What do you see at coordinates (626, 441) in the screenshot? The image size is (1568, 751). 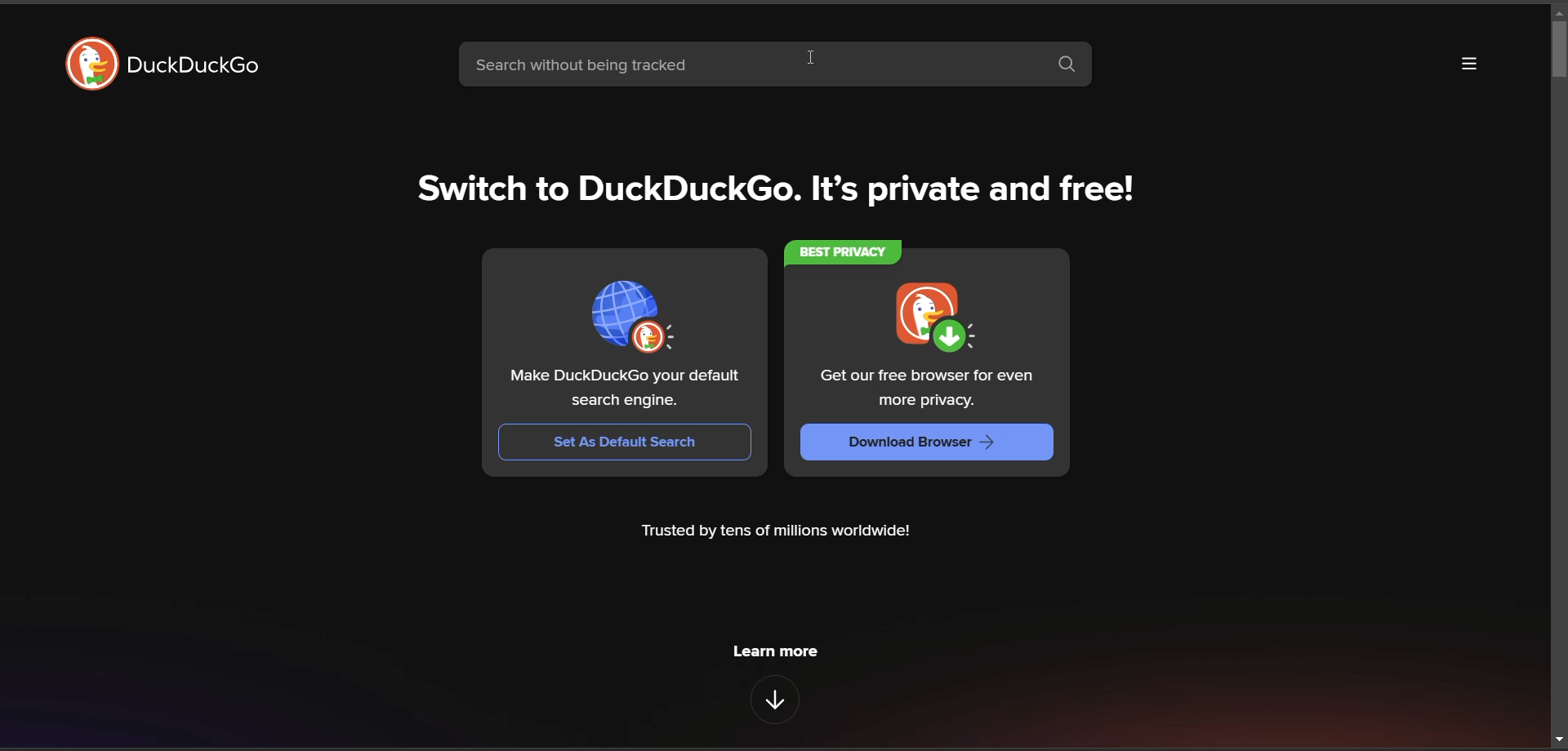 I see `Set As Default Search` at bounding box center [626, 441].